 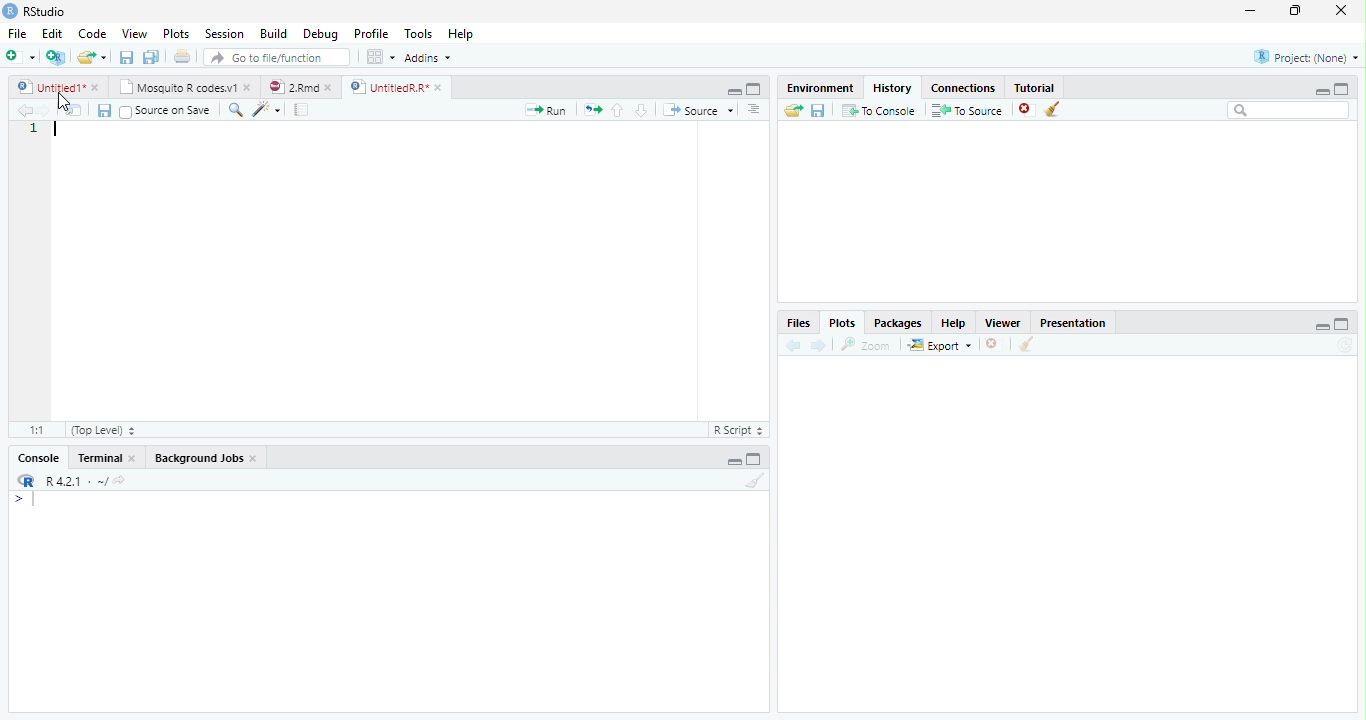 What do you see at coordinates (278, 57) in the screenshot?
I see `Go to file/function` at bounding box center [278, 57].